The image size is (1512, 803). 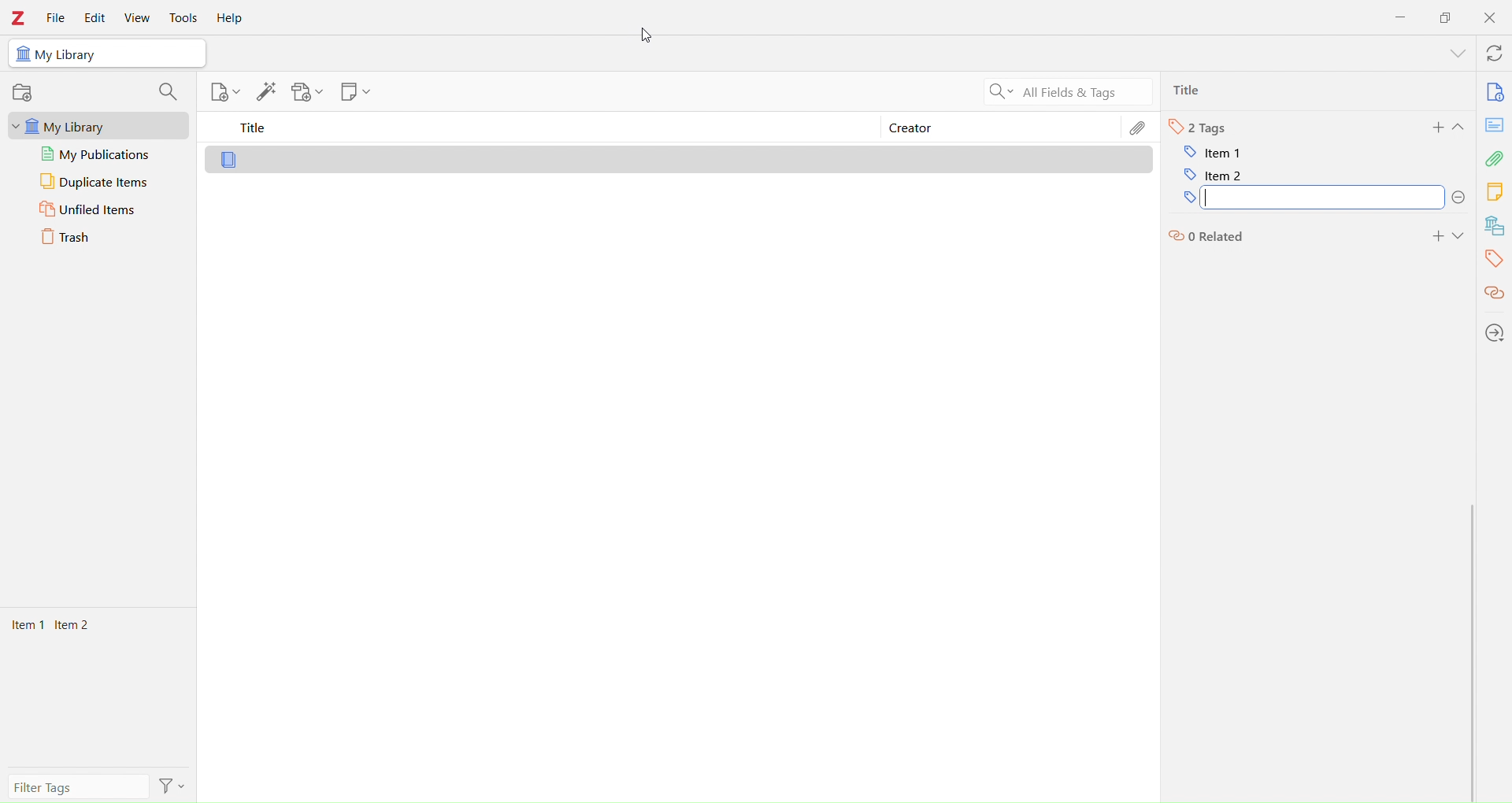 What do you see at coordinates (1228, 170) in the screenshot?
I see `item 2` at bounding box center [1228, 170].